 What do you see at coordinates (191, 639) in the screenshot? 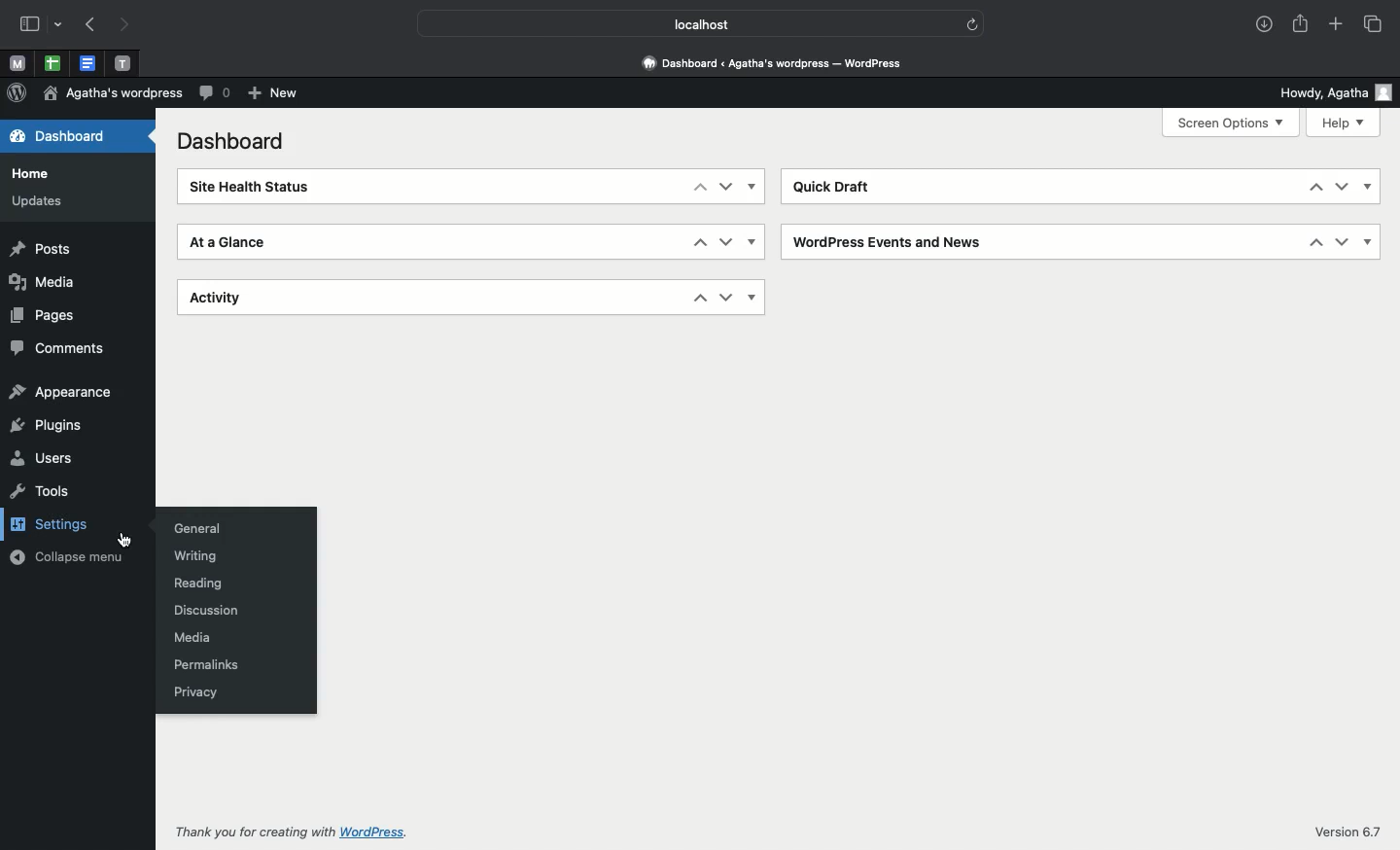
I see `Media` at bounding box center [191, 639].